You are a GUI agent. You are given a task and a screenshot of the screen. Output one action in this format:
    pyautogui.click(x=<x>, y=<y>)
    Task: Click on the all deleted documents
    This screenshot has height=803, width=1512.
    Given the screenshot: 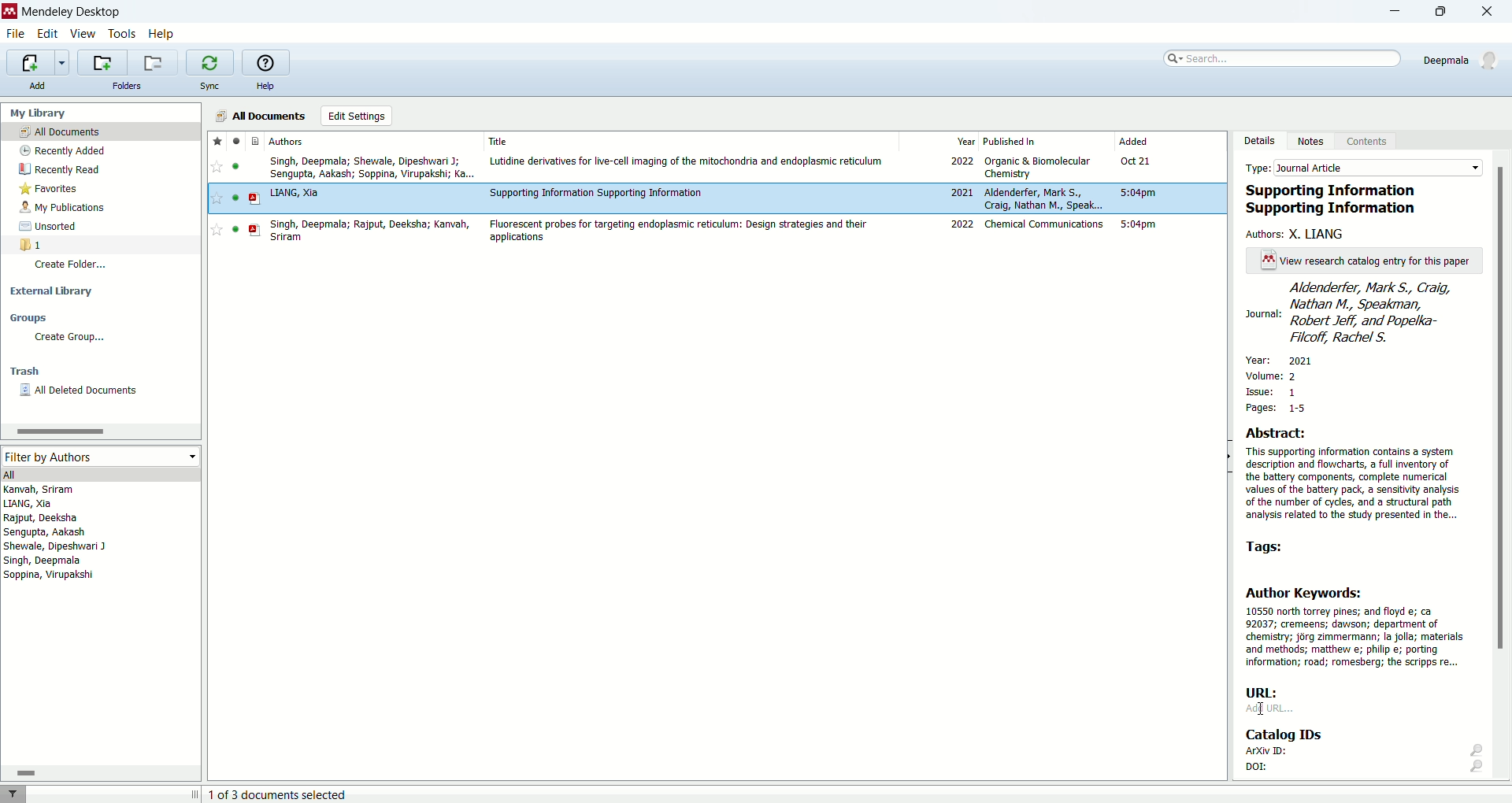 What is the action you would take?
    pyautogui.click(x=87, y=391)
    